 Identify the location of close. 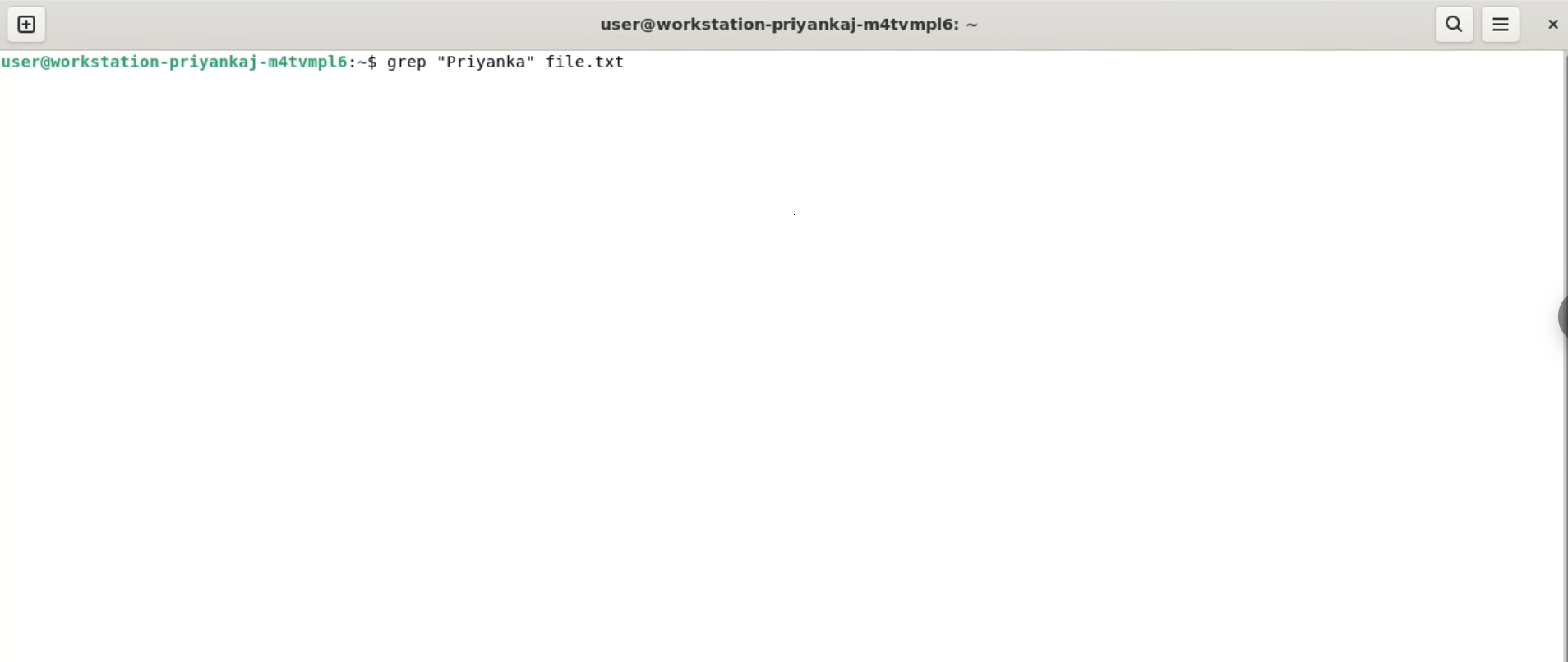
(1551, 25).